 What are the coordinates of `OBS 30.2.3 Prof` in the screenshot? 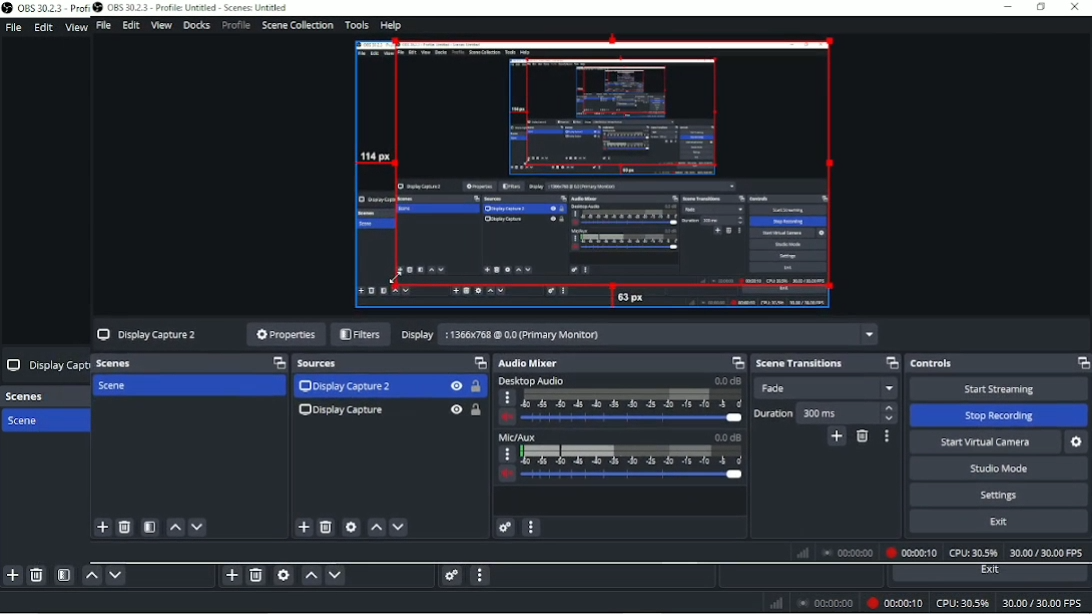 It's located at (45, 9).